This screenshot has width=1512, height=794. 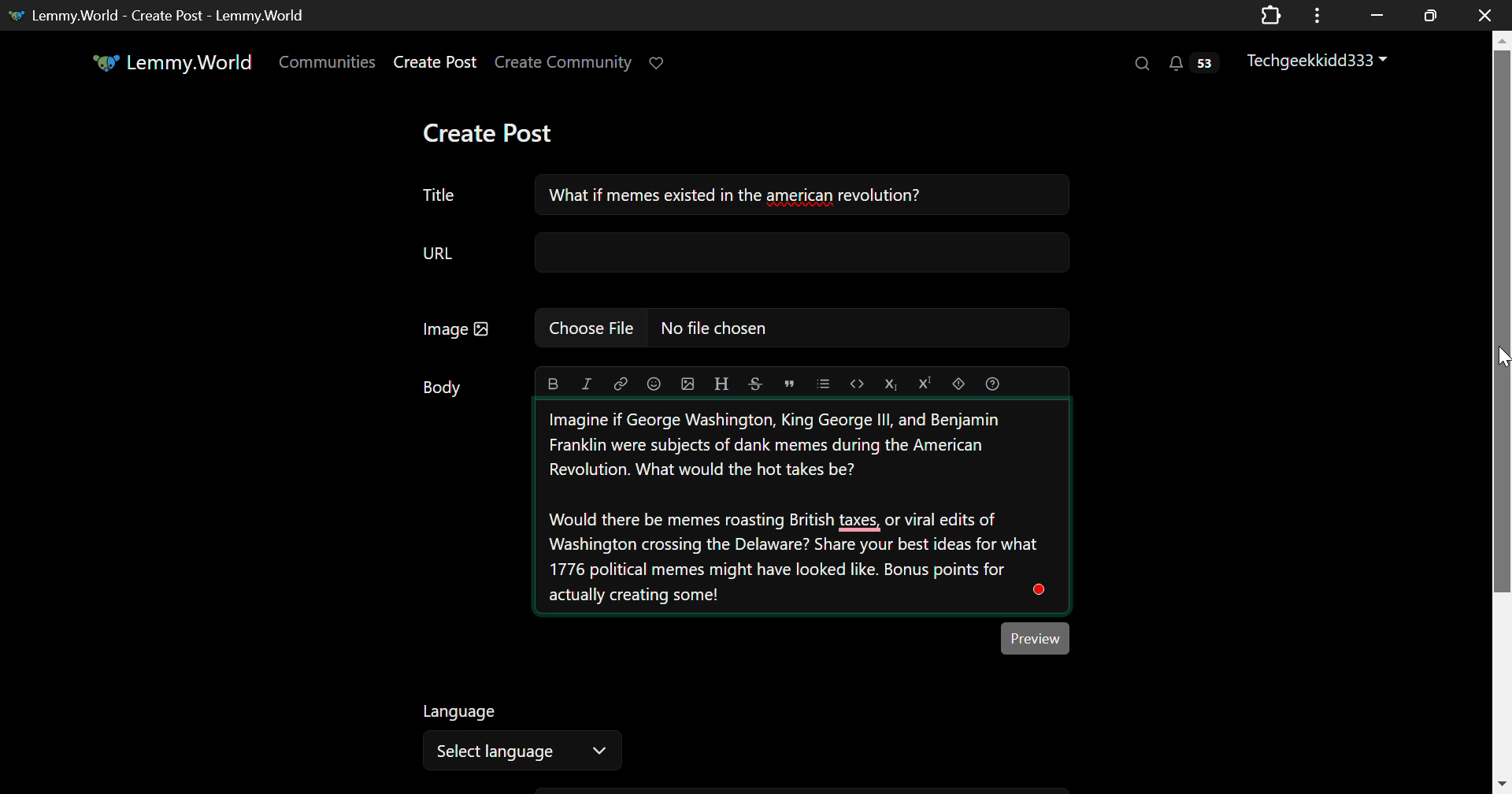 What do you see at coordinates (1272, 14) in the screenshot?
I see `Extensions` at bounding box center [1272, 14].